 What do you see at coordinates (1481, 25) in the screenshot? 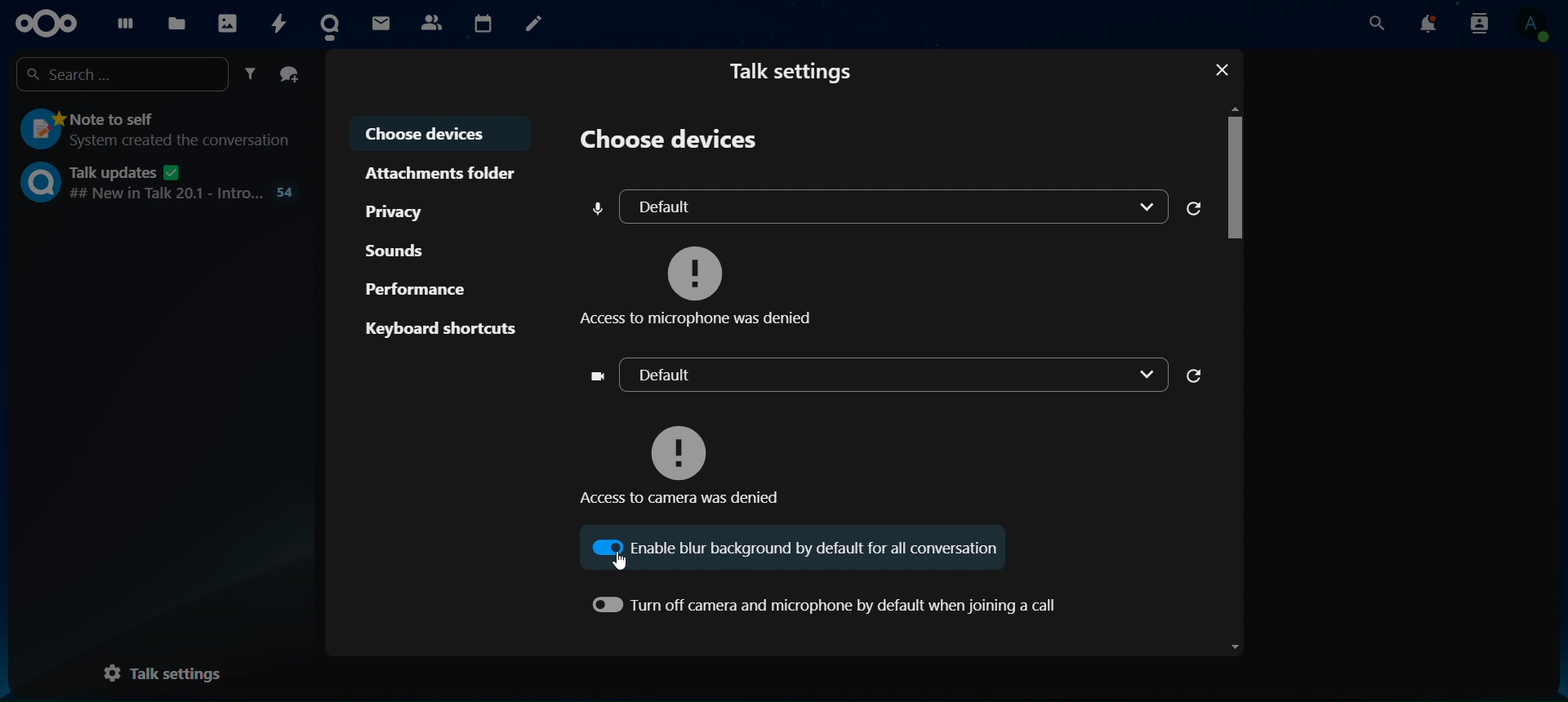
I see `contacts` at bounding box center [1481, 25].